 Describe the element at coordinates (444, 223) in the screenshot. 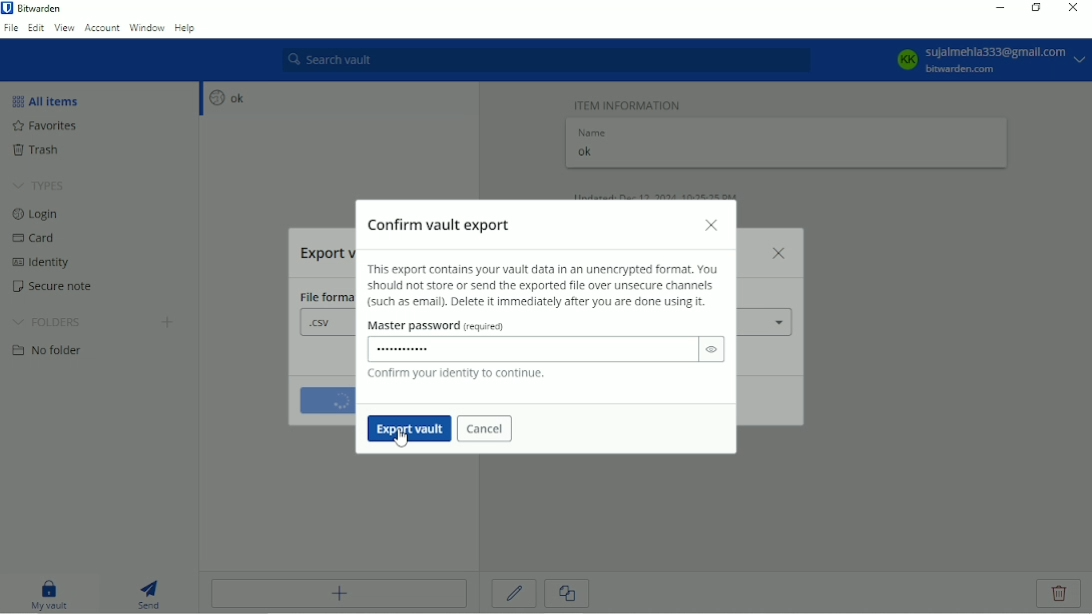

I see `Confirm vault export` at that location.